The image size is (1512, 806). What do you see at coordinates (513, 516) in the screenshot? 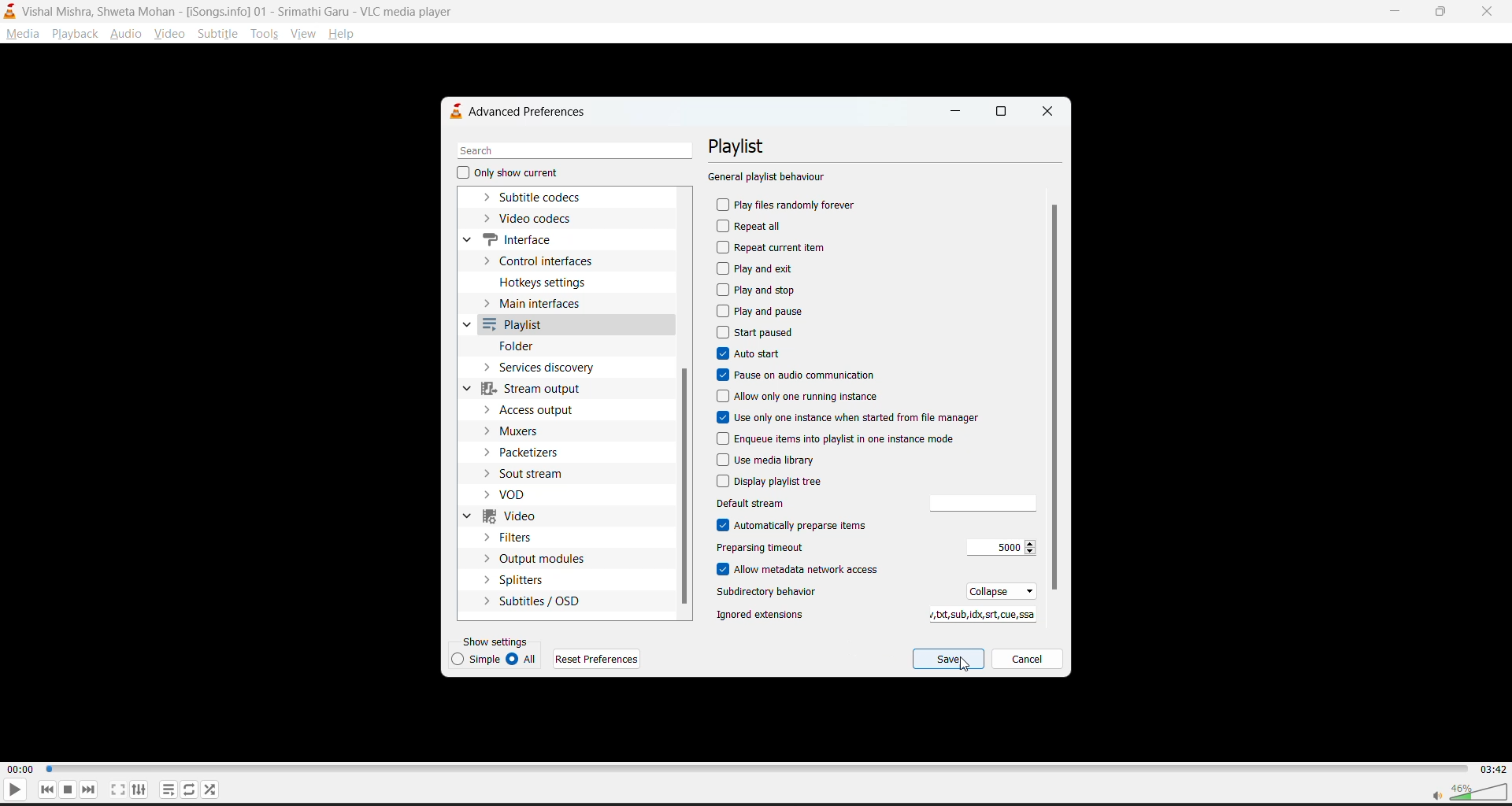
I see `video` at bounding box center [513, 516].